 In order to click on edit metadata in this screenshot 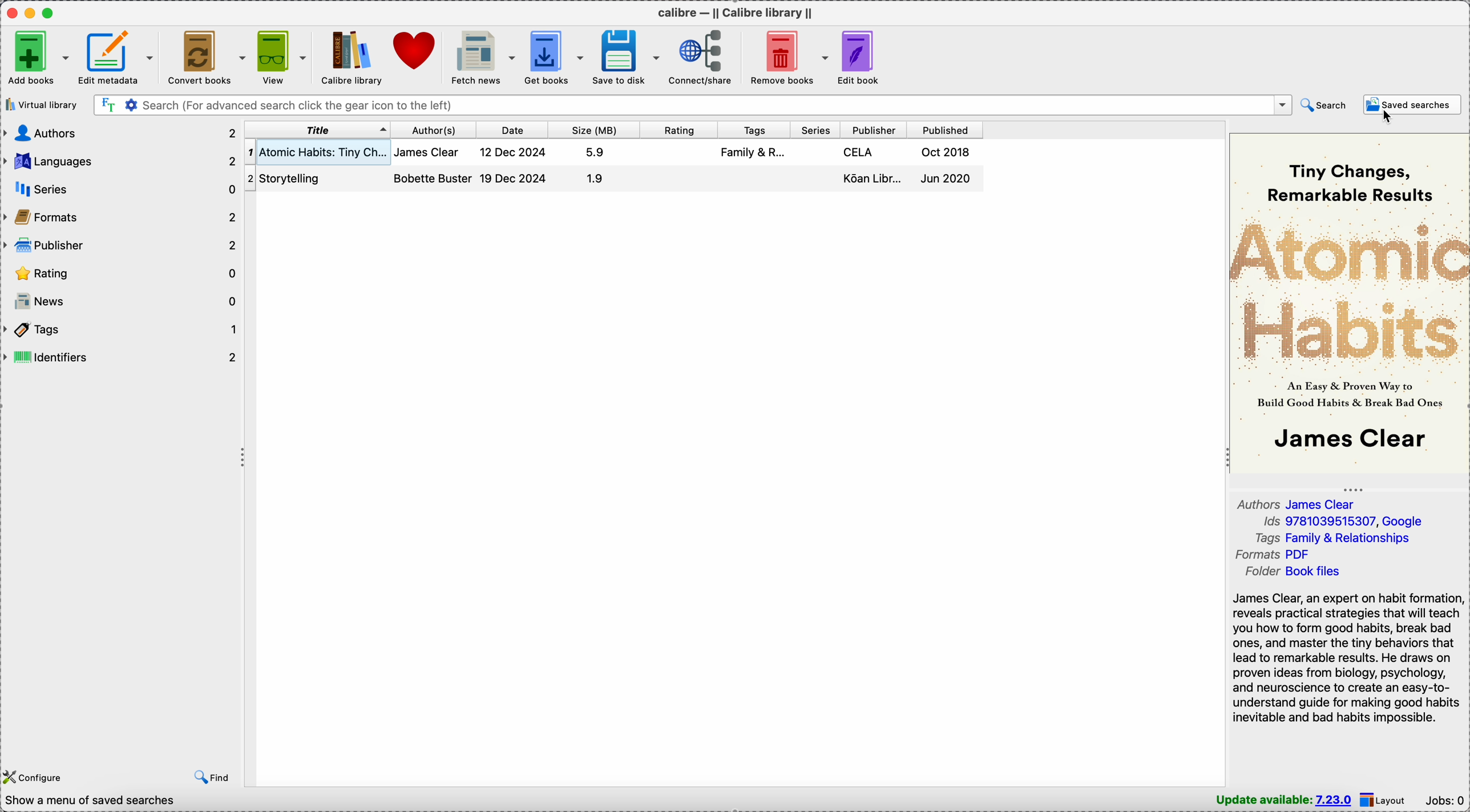, I will do `click(116, 58)`.